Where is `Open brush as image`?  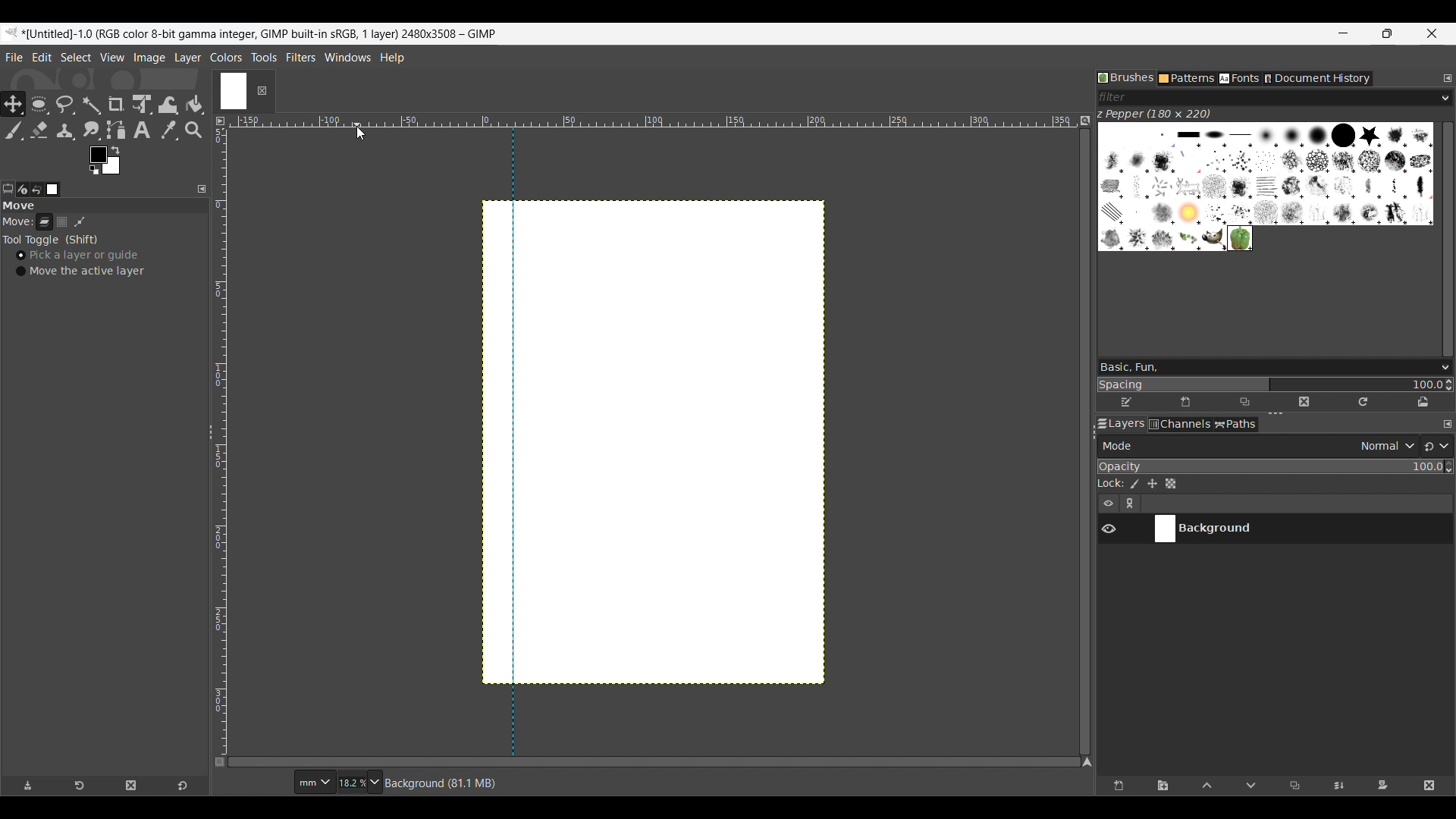
Open brush as image is located at coordinates (1423, 403).